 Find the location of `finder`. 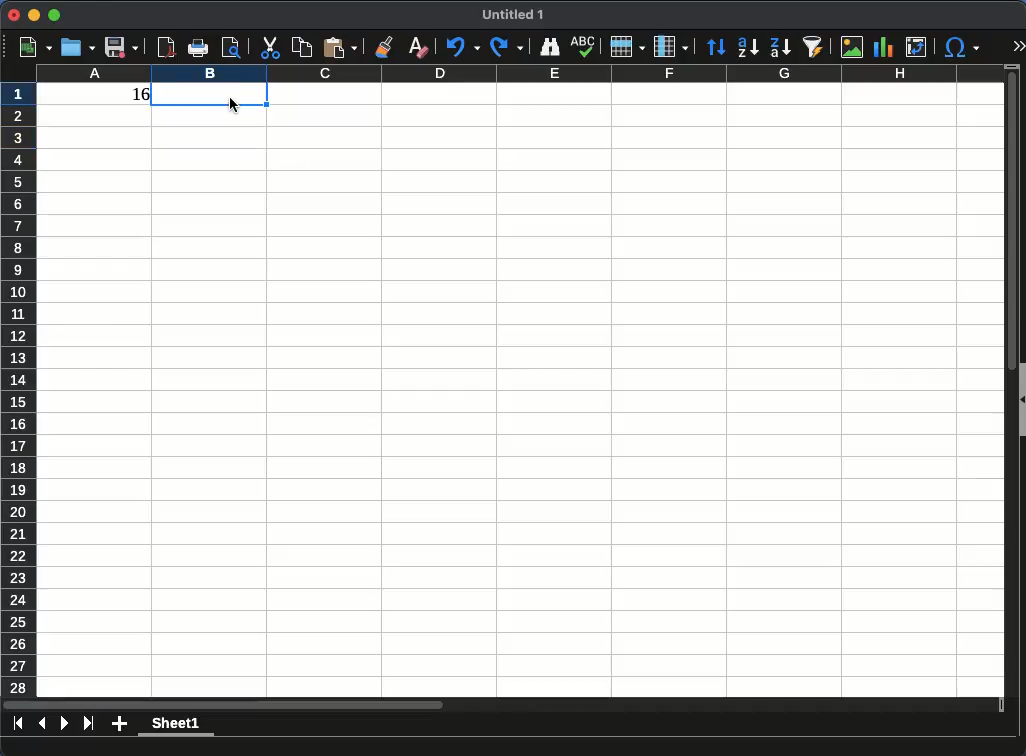

finder is located at coordinates (548, 48).